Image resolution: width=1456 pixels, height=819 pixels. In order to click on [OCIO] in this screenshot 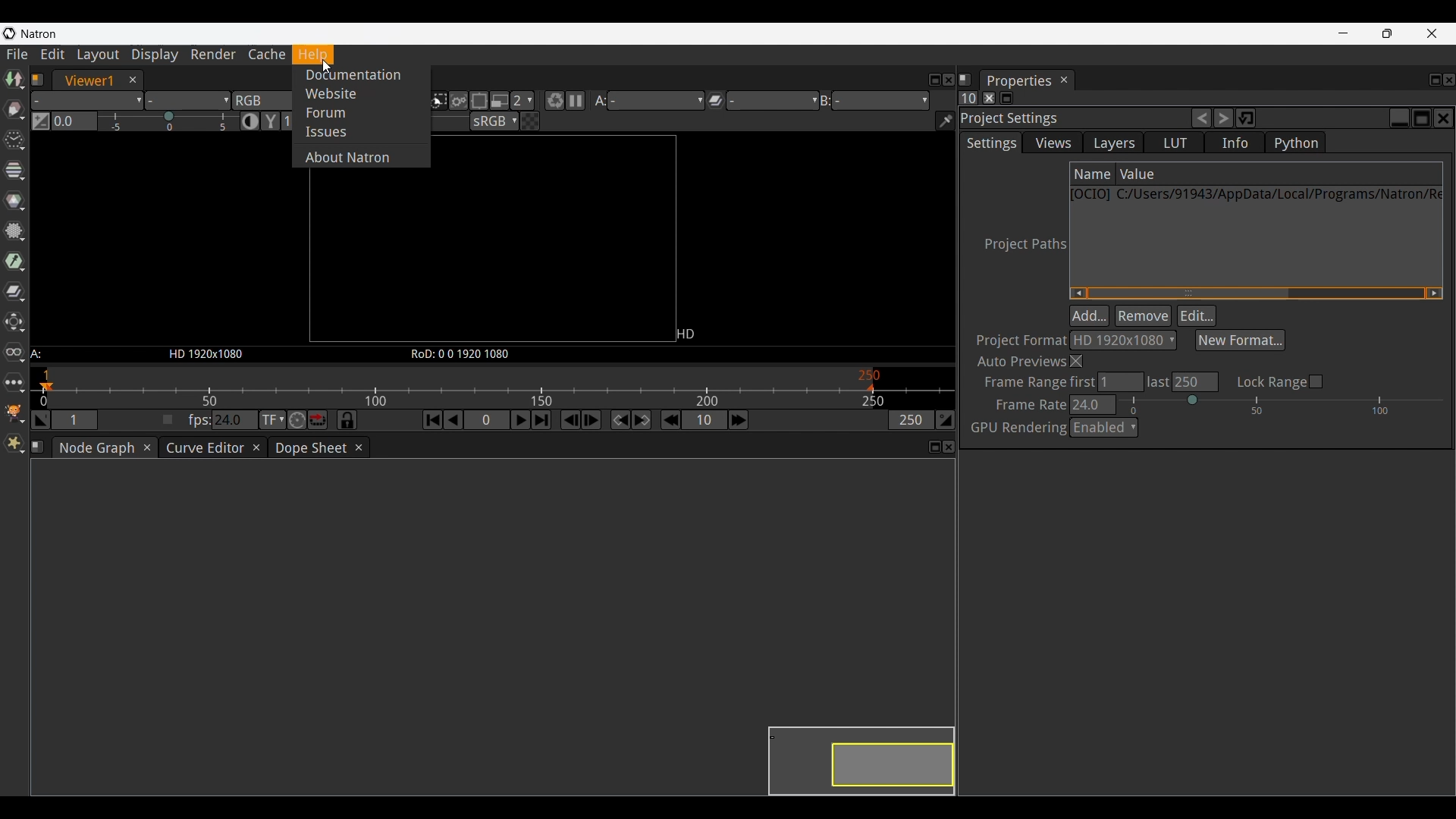, I will do `click(1092, 196)`.